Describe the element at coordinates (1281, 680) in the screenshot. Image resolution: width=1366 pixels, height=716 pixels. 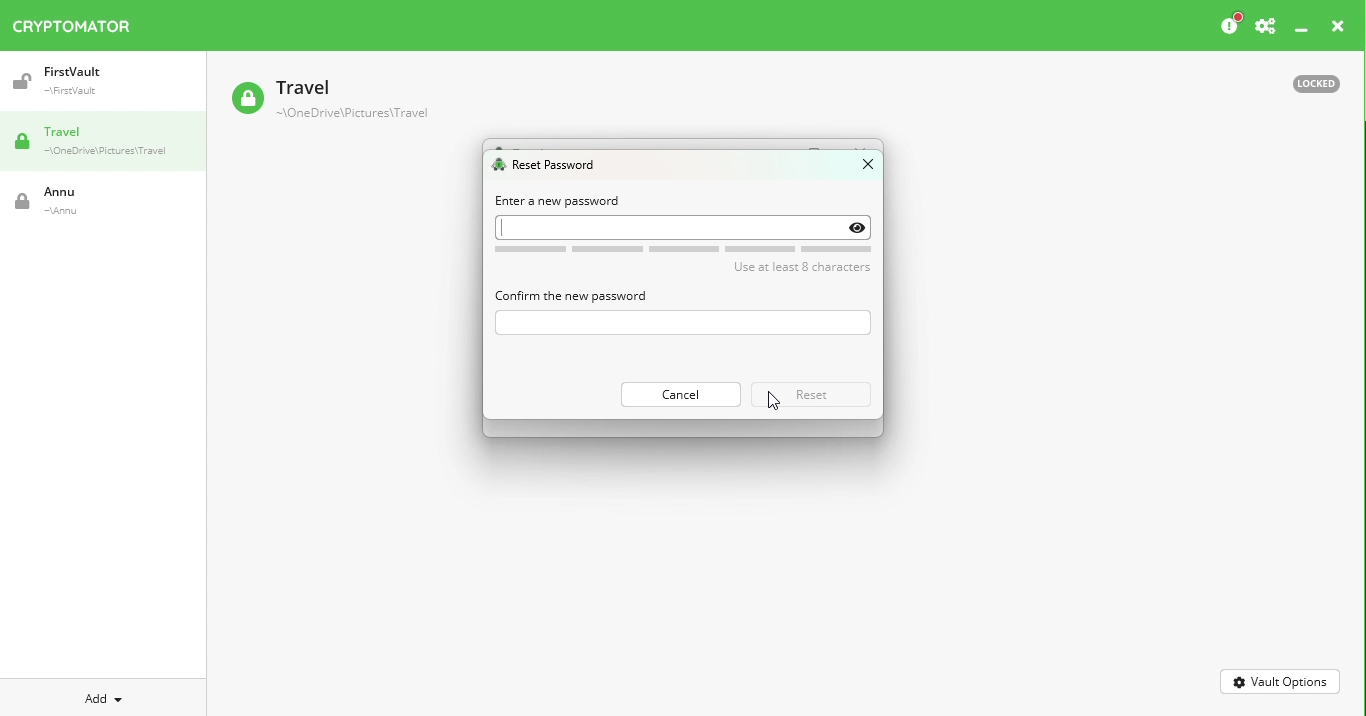
I see `Vault options` at that location.